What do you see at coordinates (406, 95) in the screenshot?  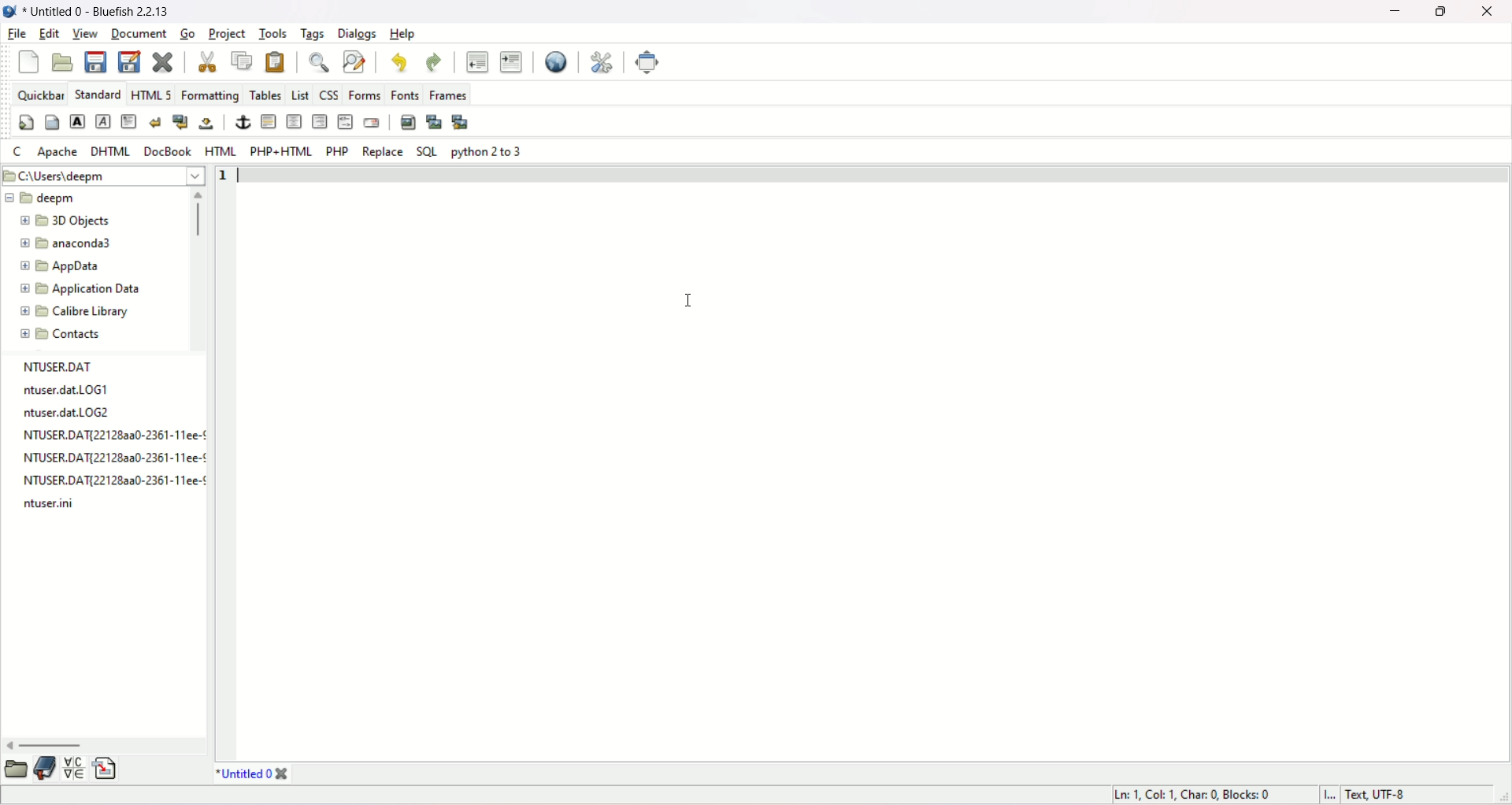 I see `fonts` at bounding box center [406, 95].